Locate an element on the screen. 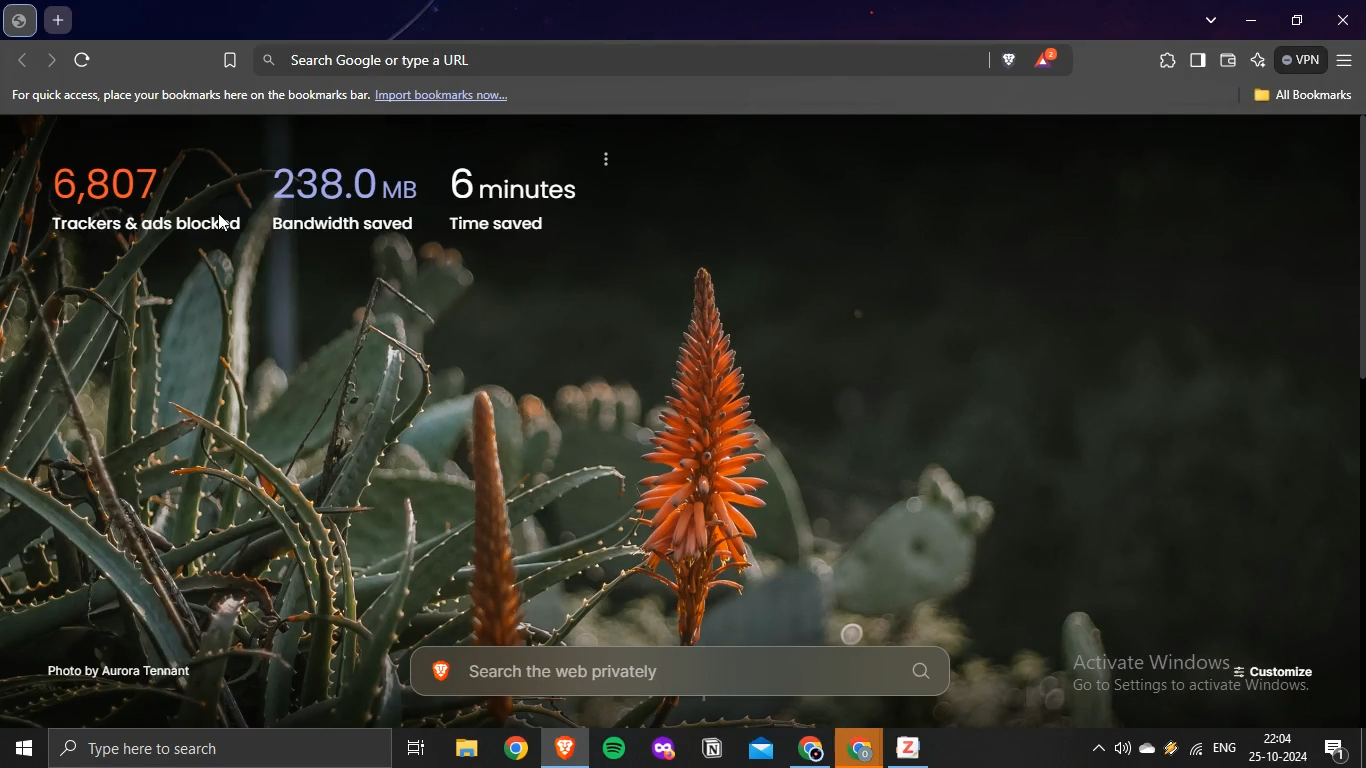 Image resolution: width=1366 pixels, height=768 pixels. mozilla firefox is located at coordinates (666, 751).